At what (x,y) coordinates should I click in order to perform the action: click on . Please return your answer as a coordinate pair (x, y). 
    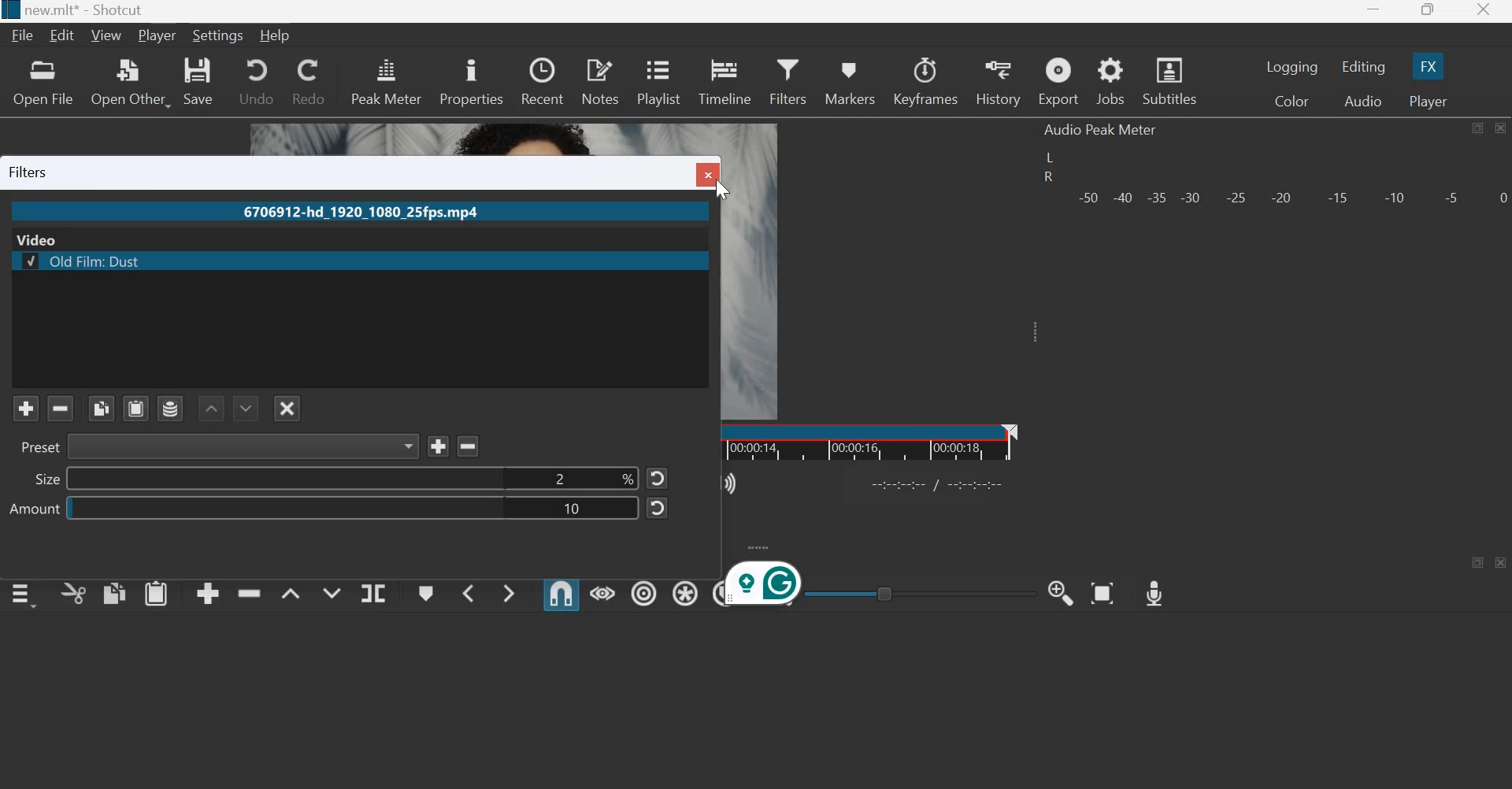
    Looking at the image, I should click on (472, 445).